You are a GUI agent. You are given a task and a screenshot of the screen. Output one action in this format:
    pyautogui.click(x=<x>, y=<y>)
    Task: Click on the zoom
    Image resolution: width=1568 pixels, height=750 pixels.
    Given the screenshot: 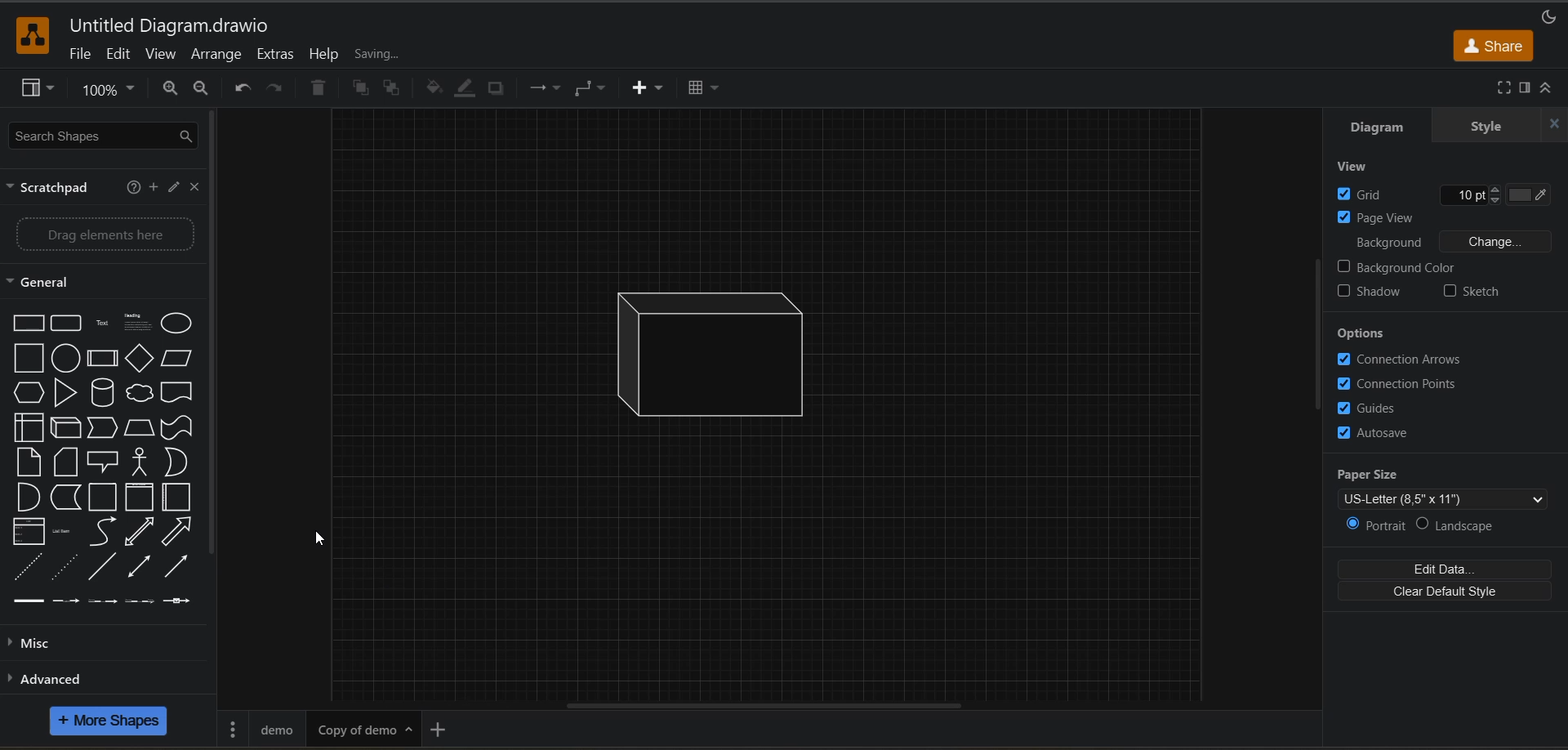 What is the action you would take?
    pyautogui.click(x=107, y=88)
    